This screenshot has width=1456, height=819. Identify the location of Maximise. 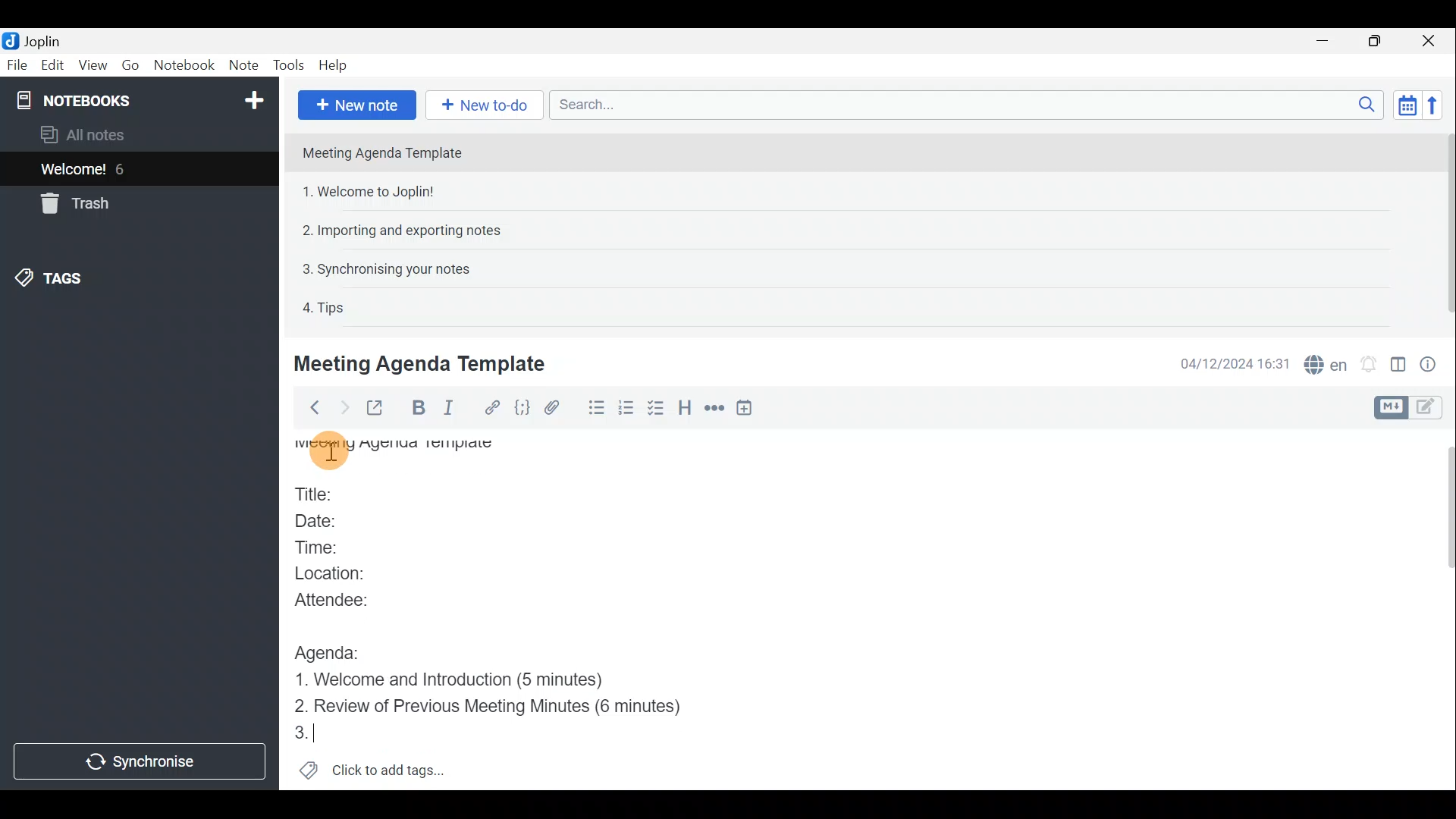
(1376, 42).